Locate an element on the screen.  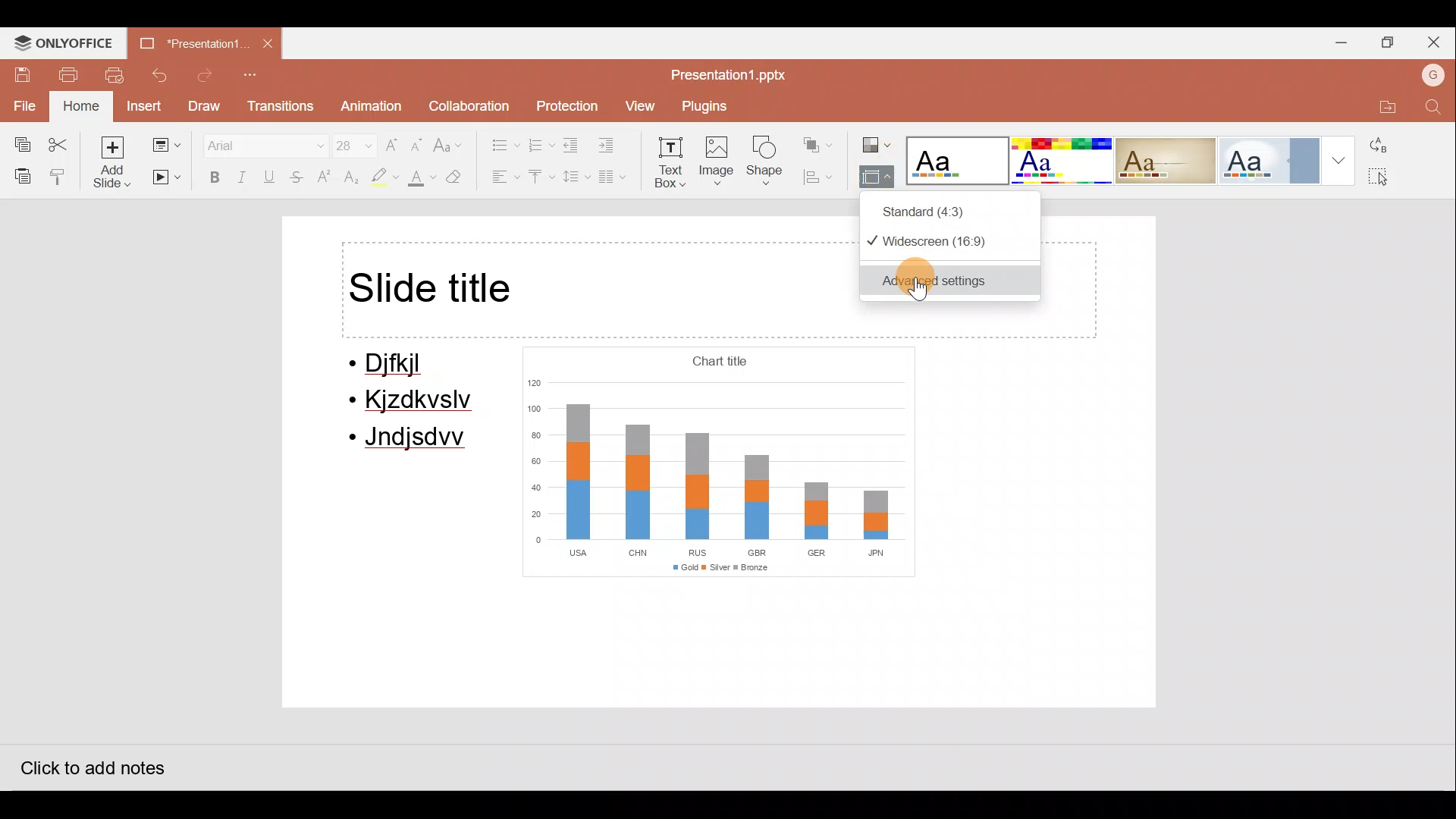
Presentation1.pptx is located at coordinates (725, 71).